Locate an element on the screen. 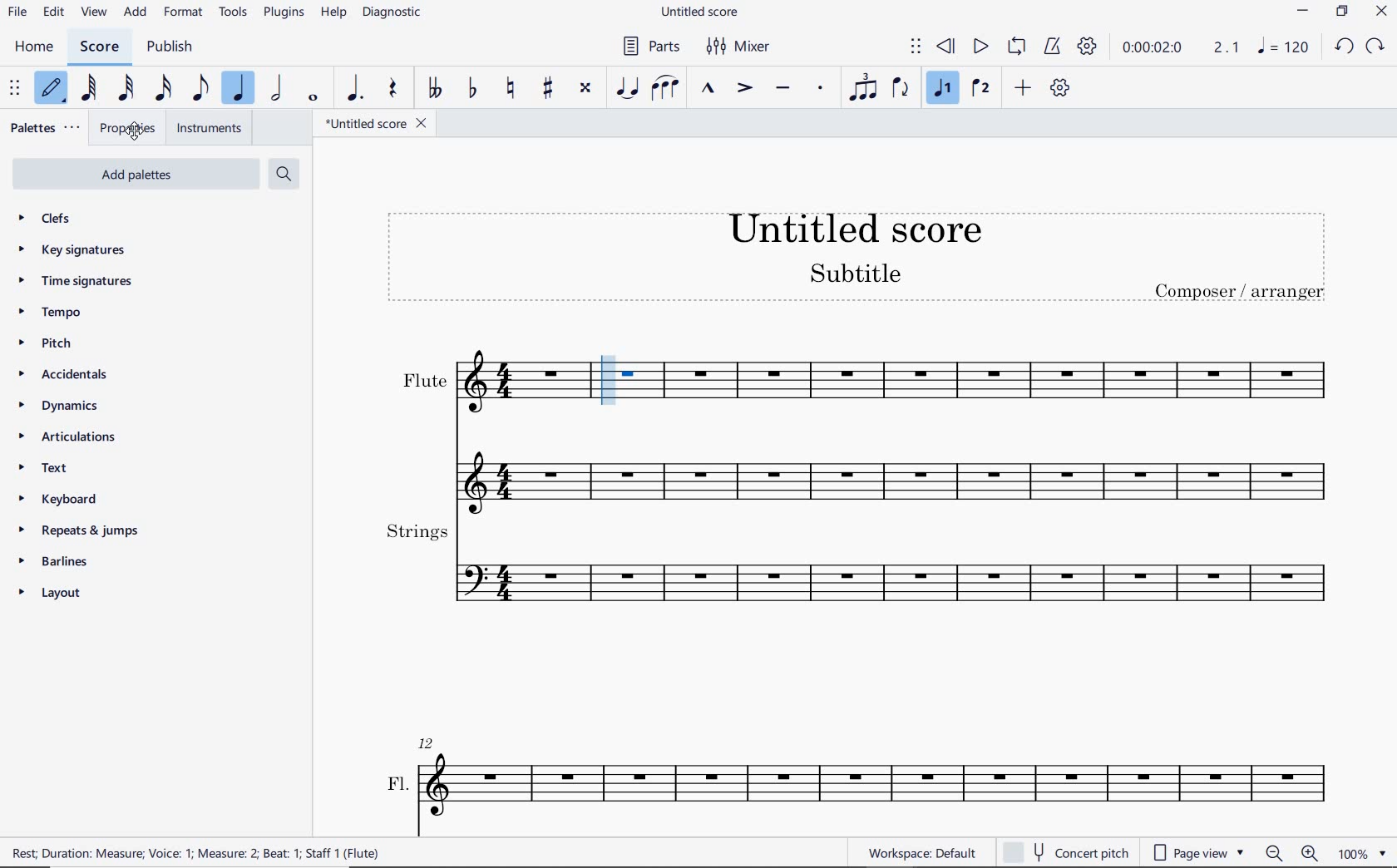  articulations is located at coordinates (70, 438).